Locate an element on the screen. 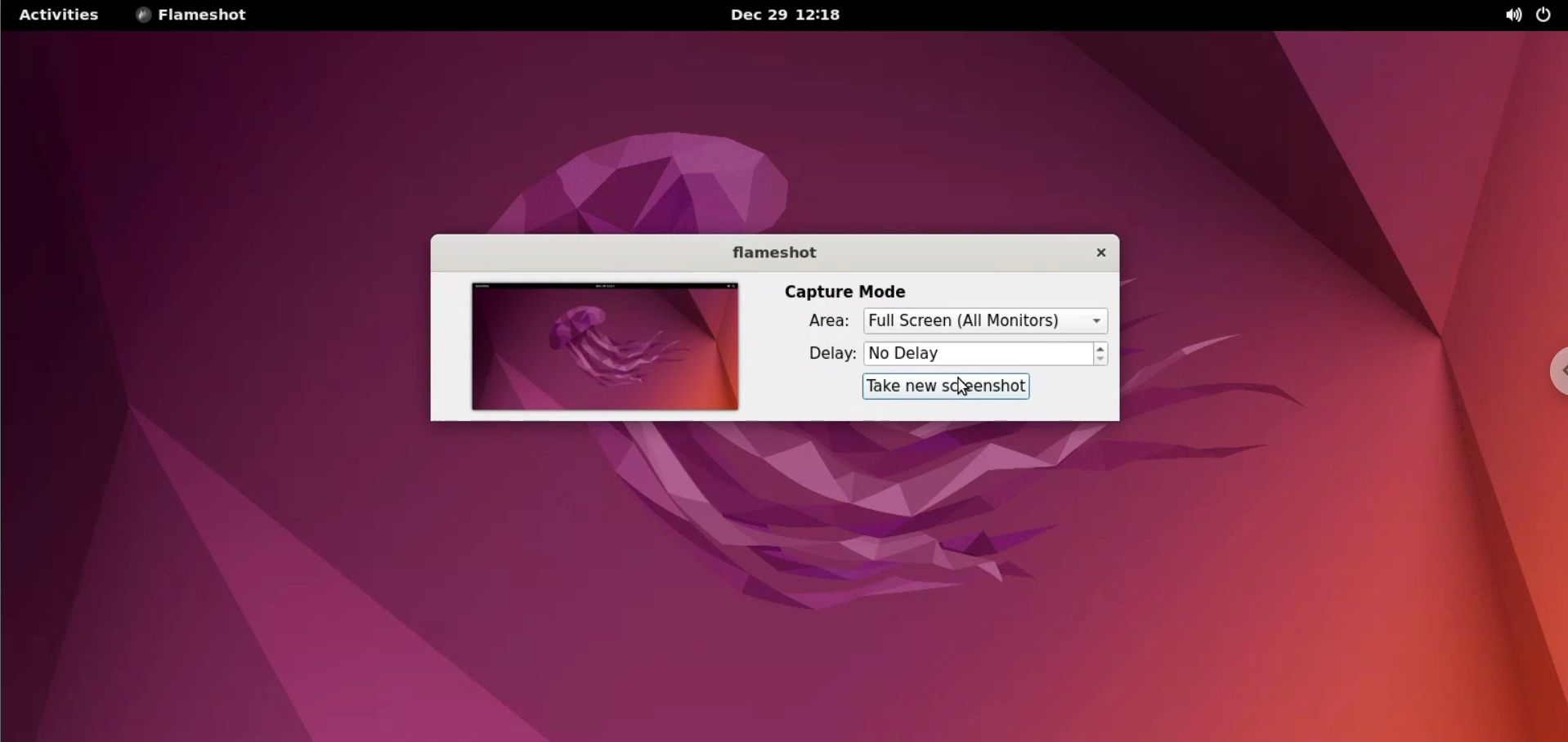  increment or decrement delay is located at coordinates (1104, 352).